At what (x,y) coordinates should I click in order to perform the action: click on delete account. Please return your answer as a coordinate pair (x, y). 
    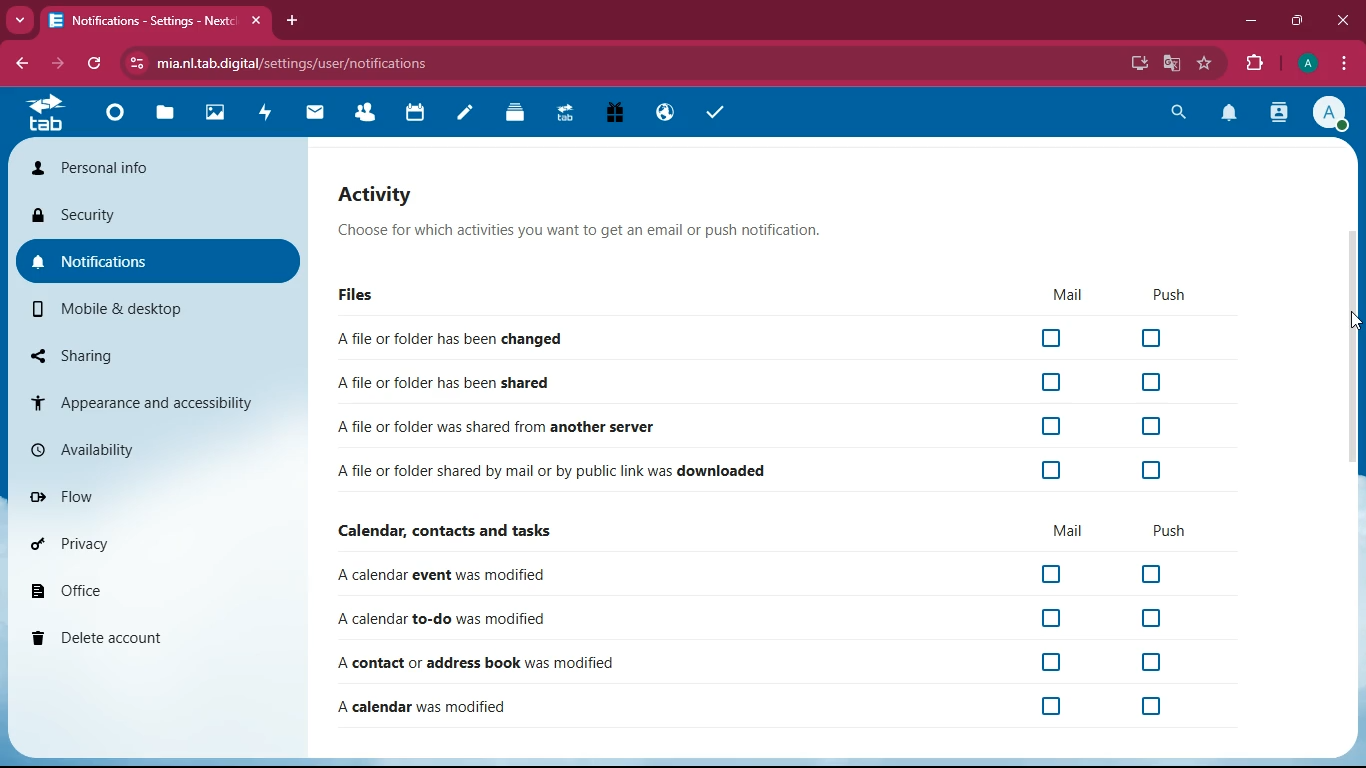
    Looking at the image, I should click on (151, 637).